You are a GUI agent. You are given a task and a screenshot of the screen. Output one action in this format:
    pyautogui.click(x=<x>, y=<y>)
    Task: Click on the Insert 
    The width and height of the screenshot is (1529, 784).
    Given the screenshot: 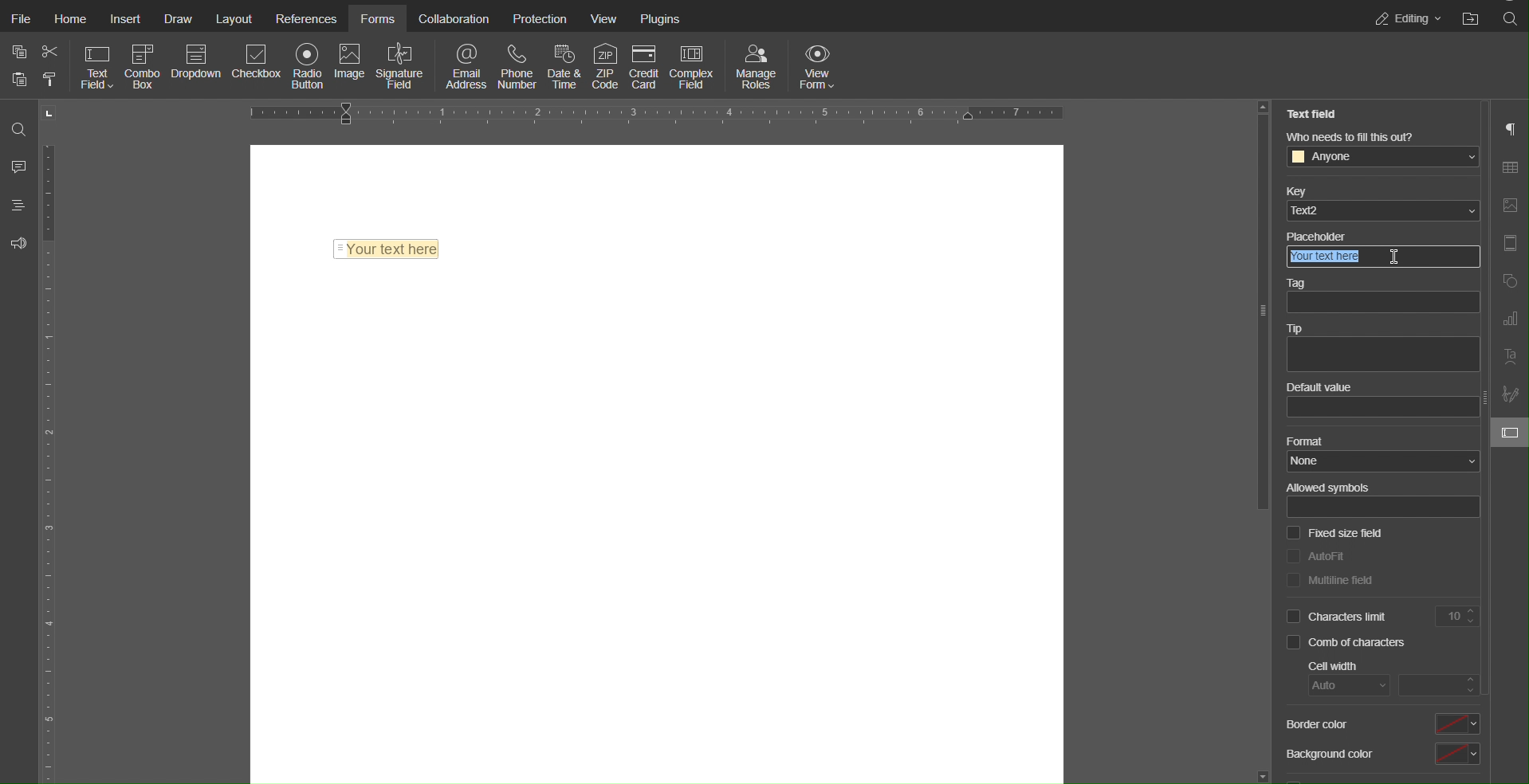 What is the action you would take?
    pyautogui.click(x=125, y=20)
    